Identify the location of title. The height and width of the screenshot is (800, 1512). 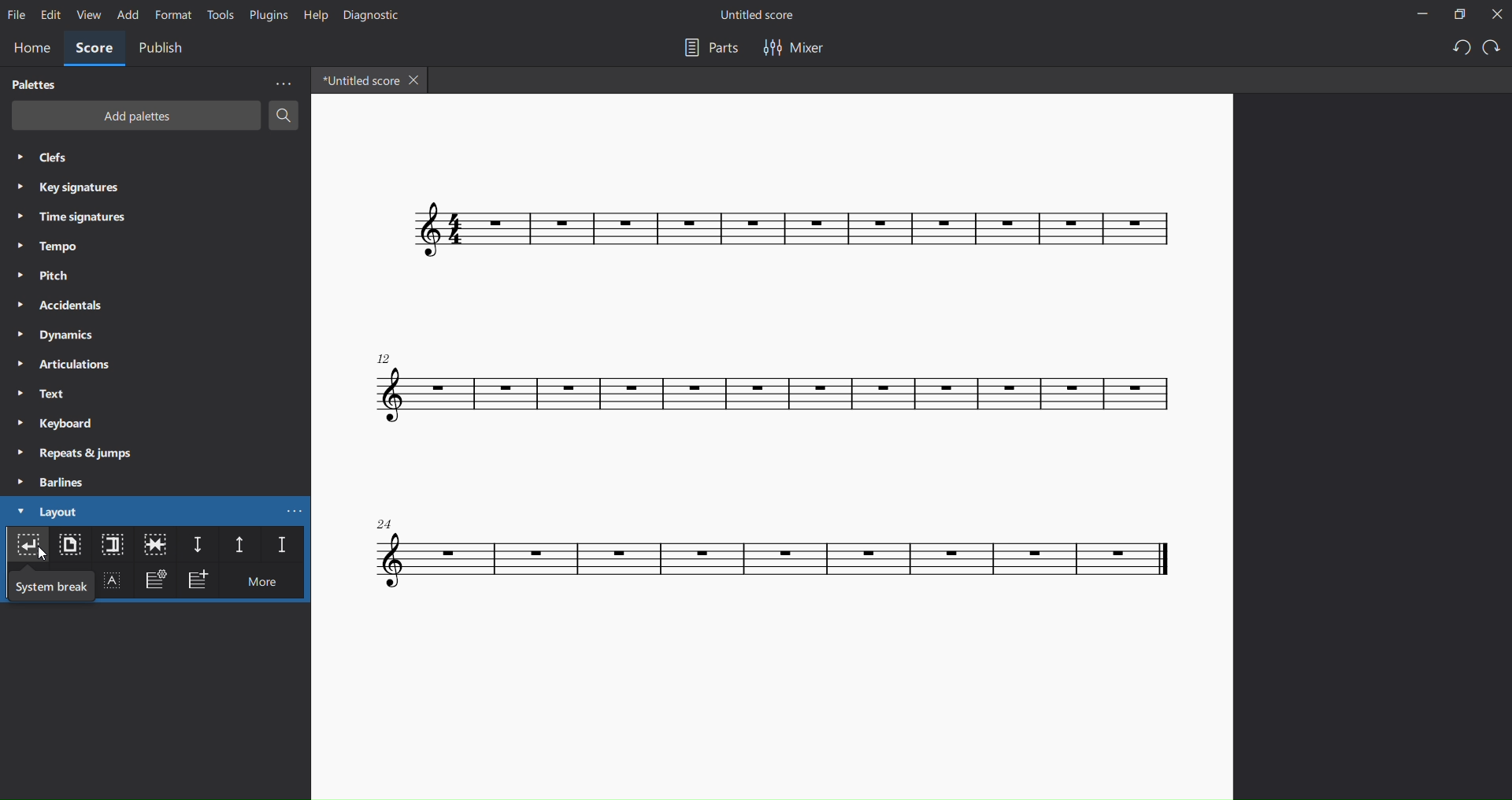
(765, 14).